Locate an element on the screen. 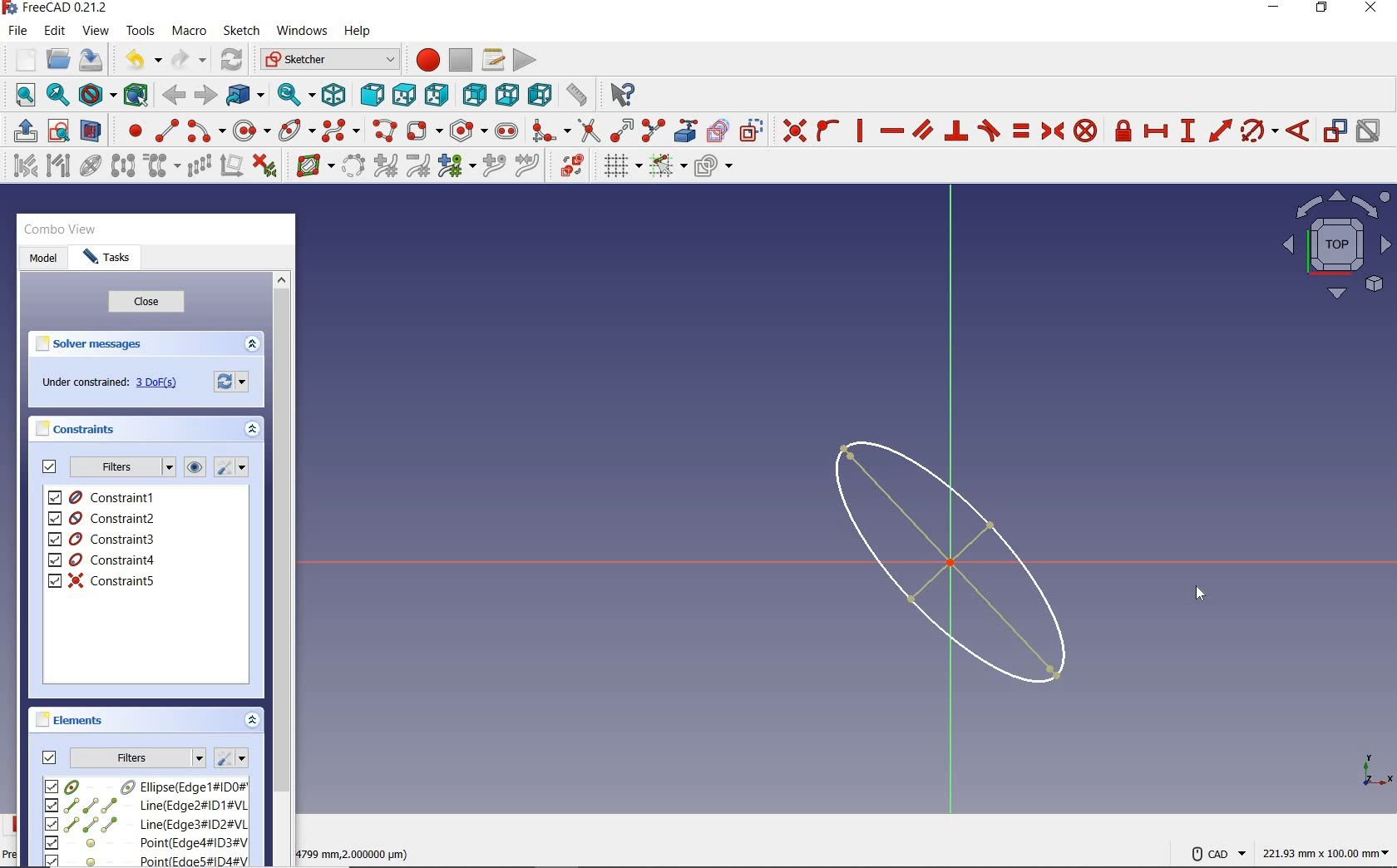 The image size is (1397, 868). isometric is located at coordinates (333, 94).